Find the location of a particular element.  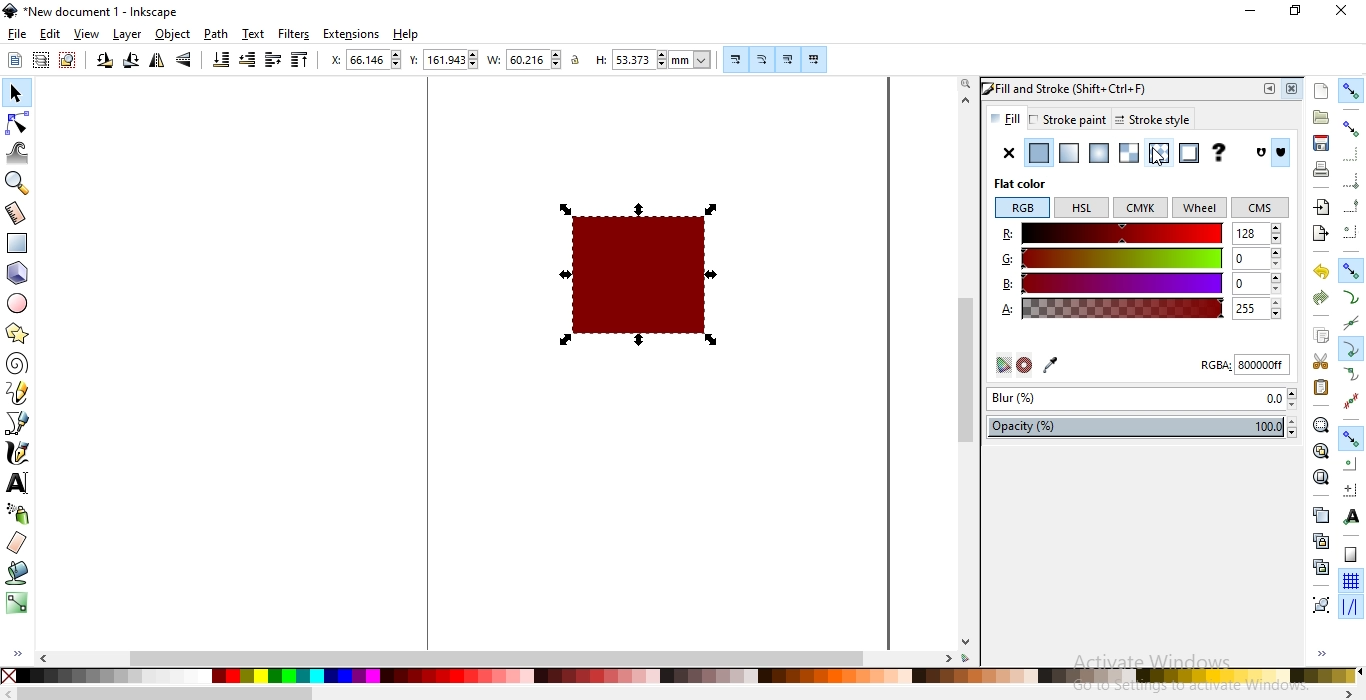

zoom to fit selection is located at coordinates (1321, 424).